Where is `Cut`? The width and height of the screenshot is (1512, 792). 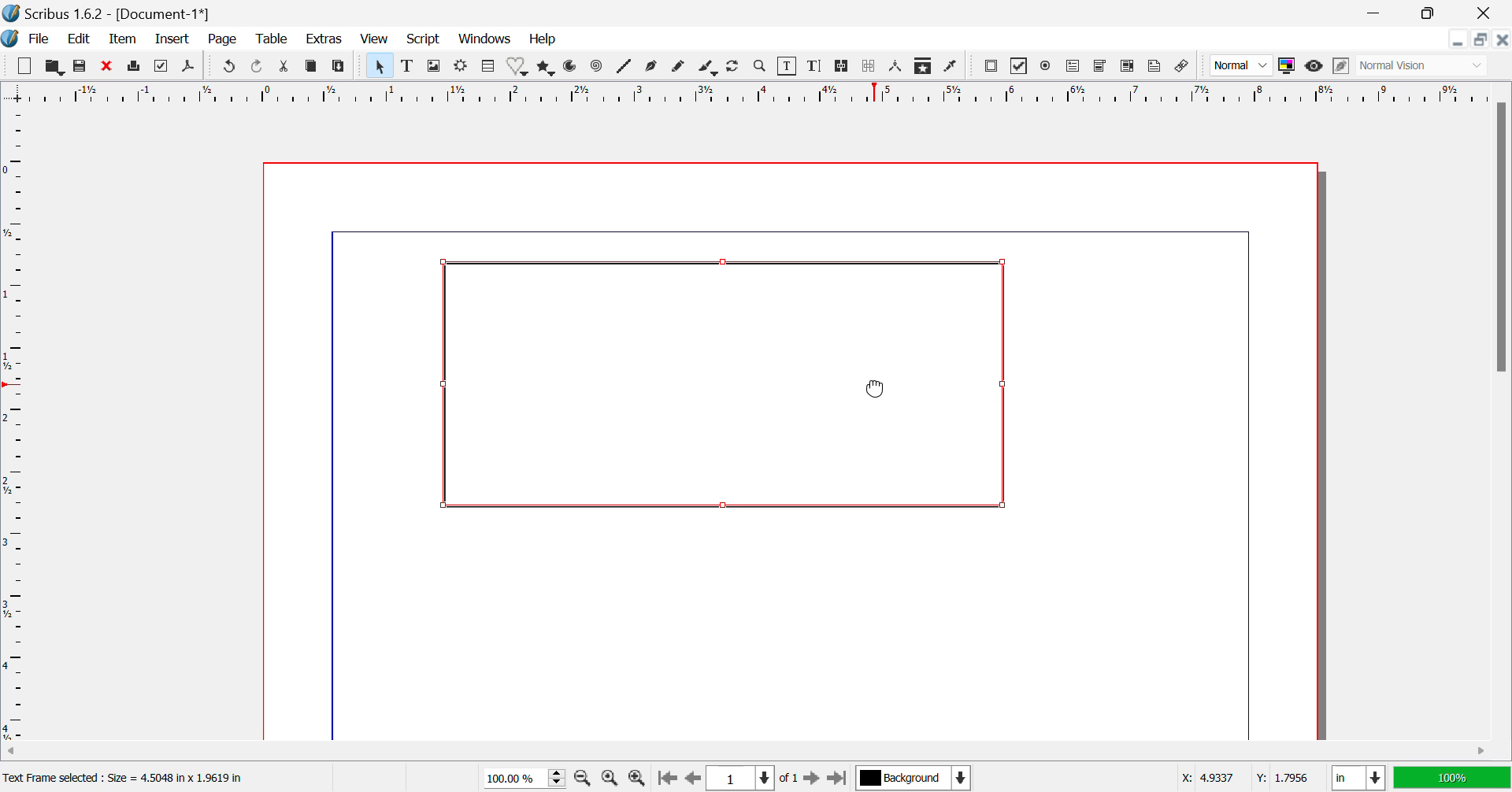
Cut is located at coordinates (284, 66).